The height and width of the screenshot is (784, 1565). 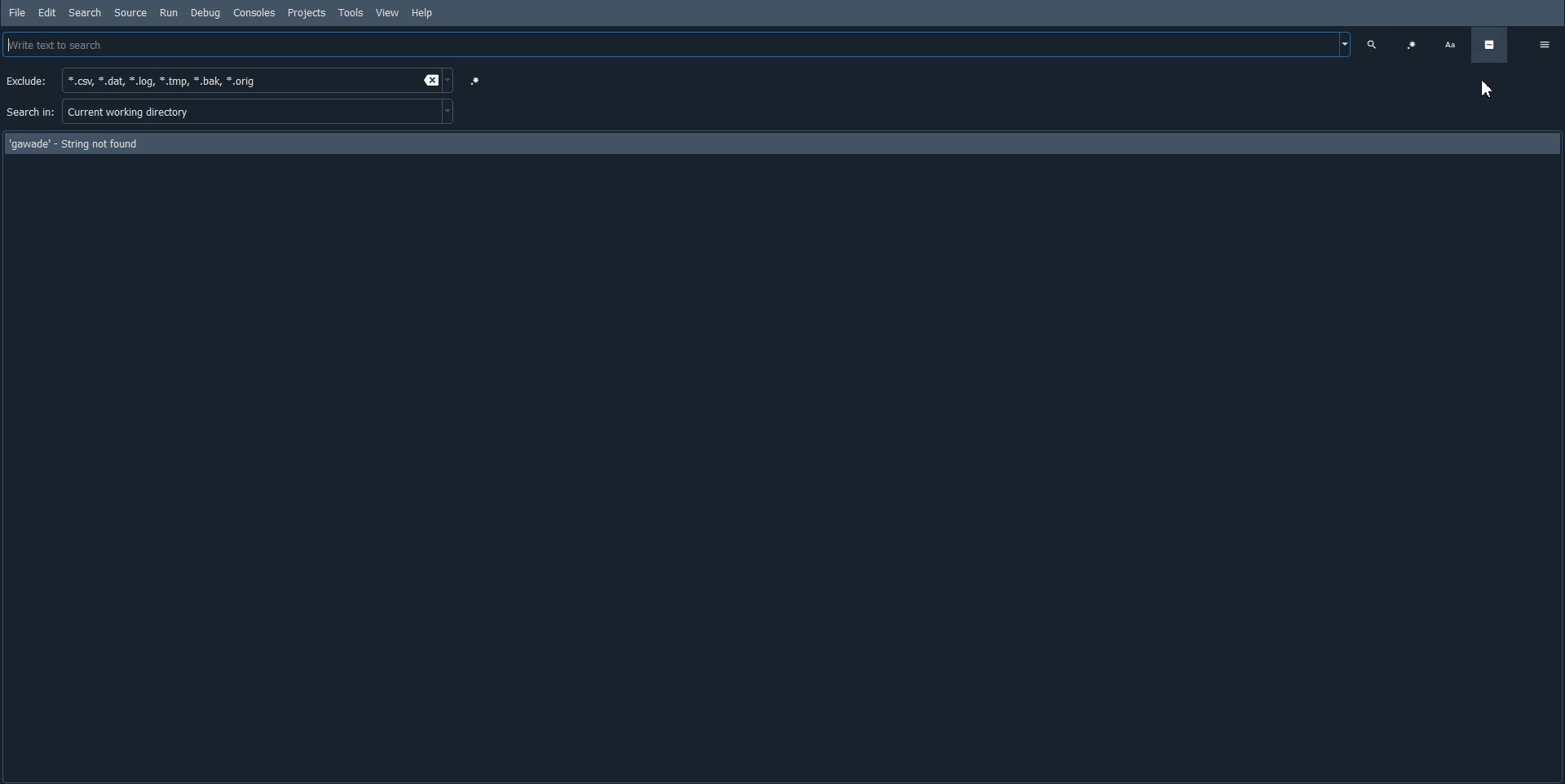 What do you see at coordinates (253, 12) in the screenshot?
I see `Consoles` at bounding box center [253, 12].